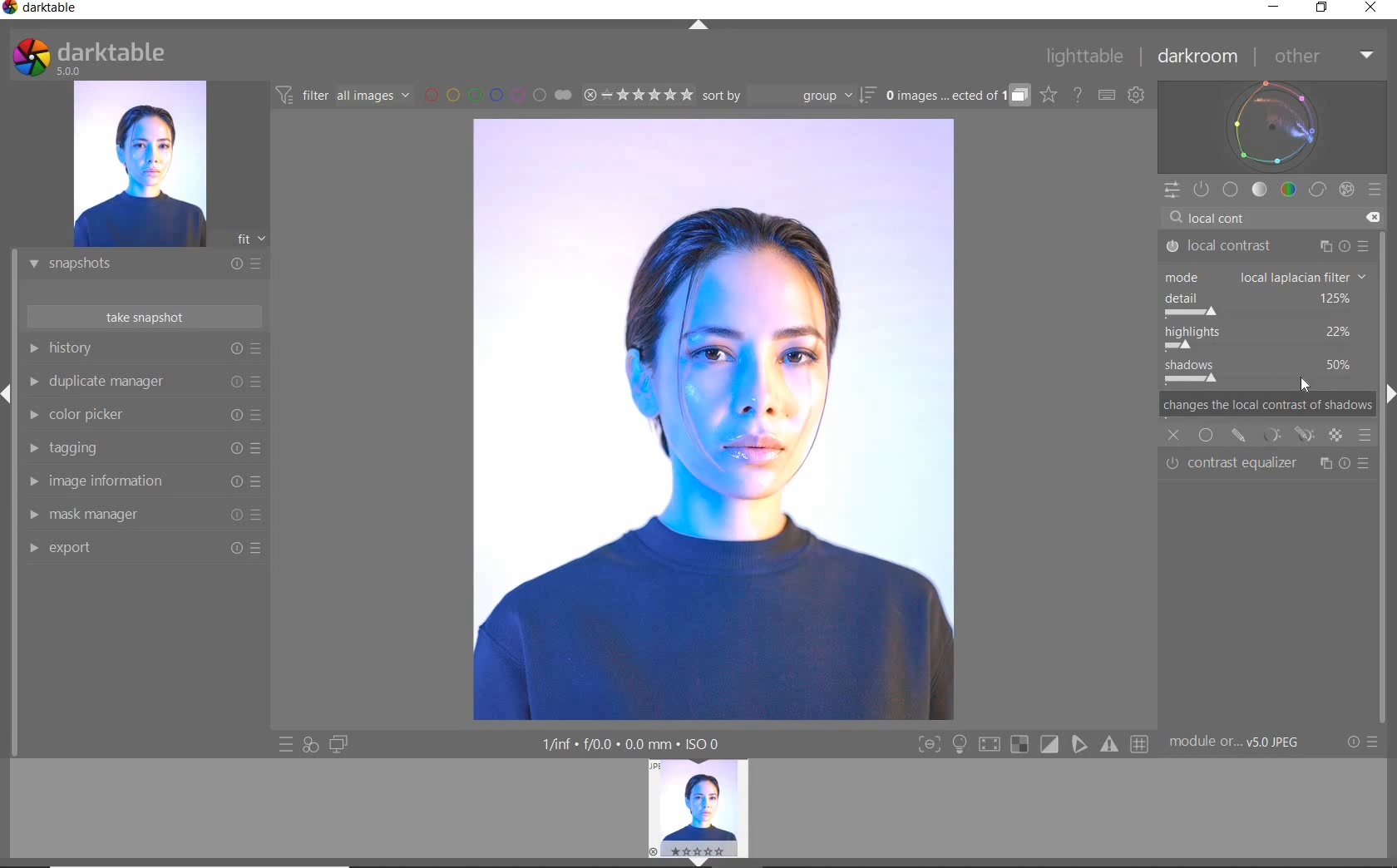 The image size is (1397, 868). I want to click on mode: bilateral grid, so click(1266, 277).